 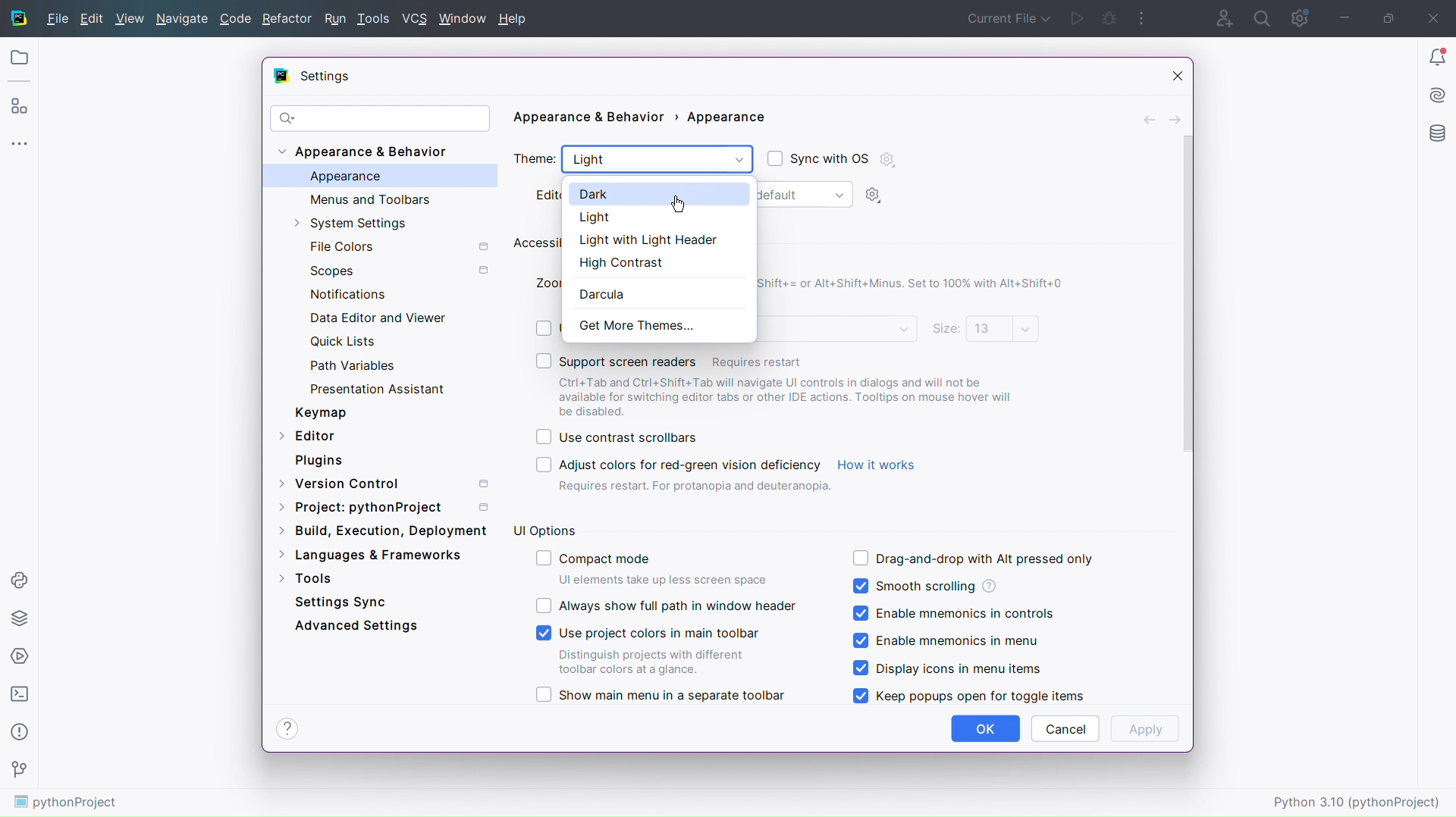 I want to click on Smooth scrolling, so click(x=924, y=585).